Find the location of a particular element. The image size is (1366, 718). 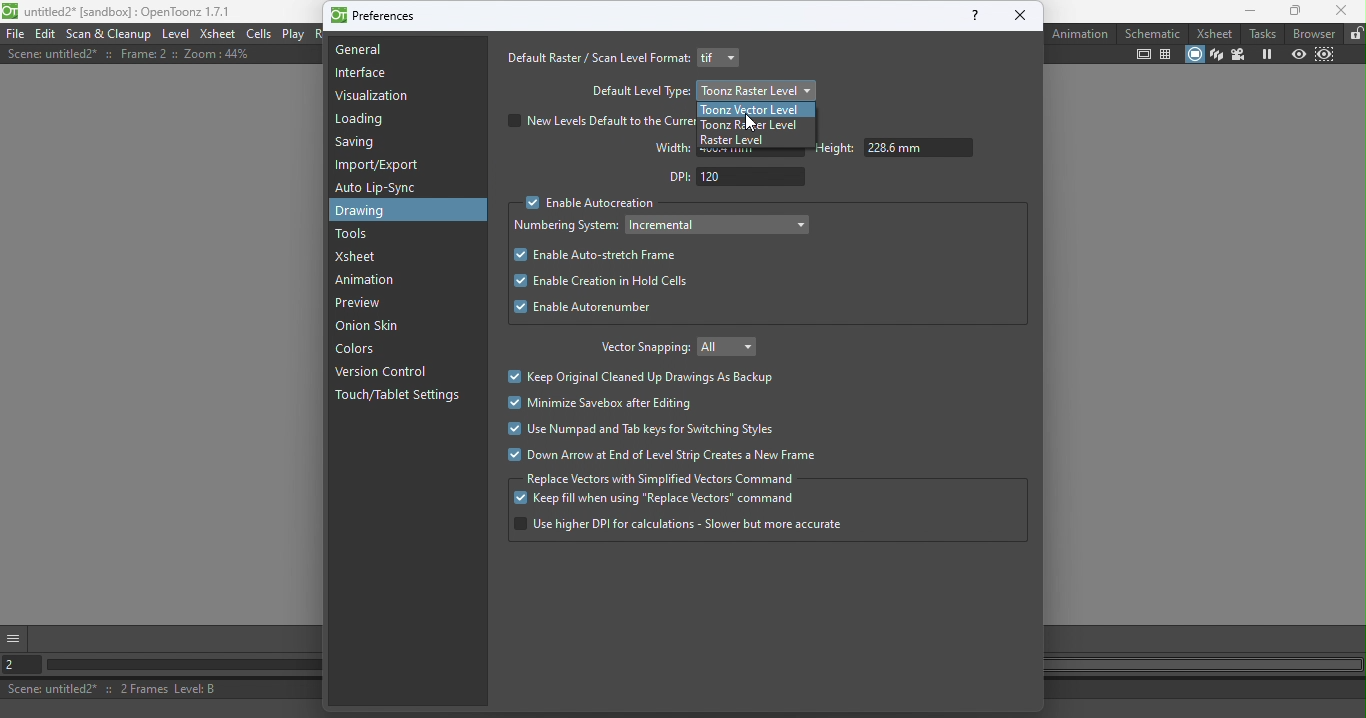

Preview is located at coordinates (357, 304).